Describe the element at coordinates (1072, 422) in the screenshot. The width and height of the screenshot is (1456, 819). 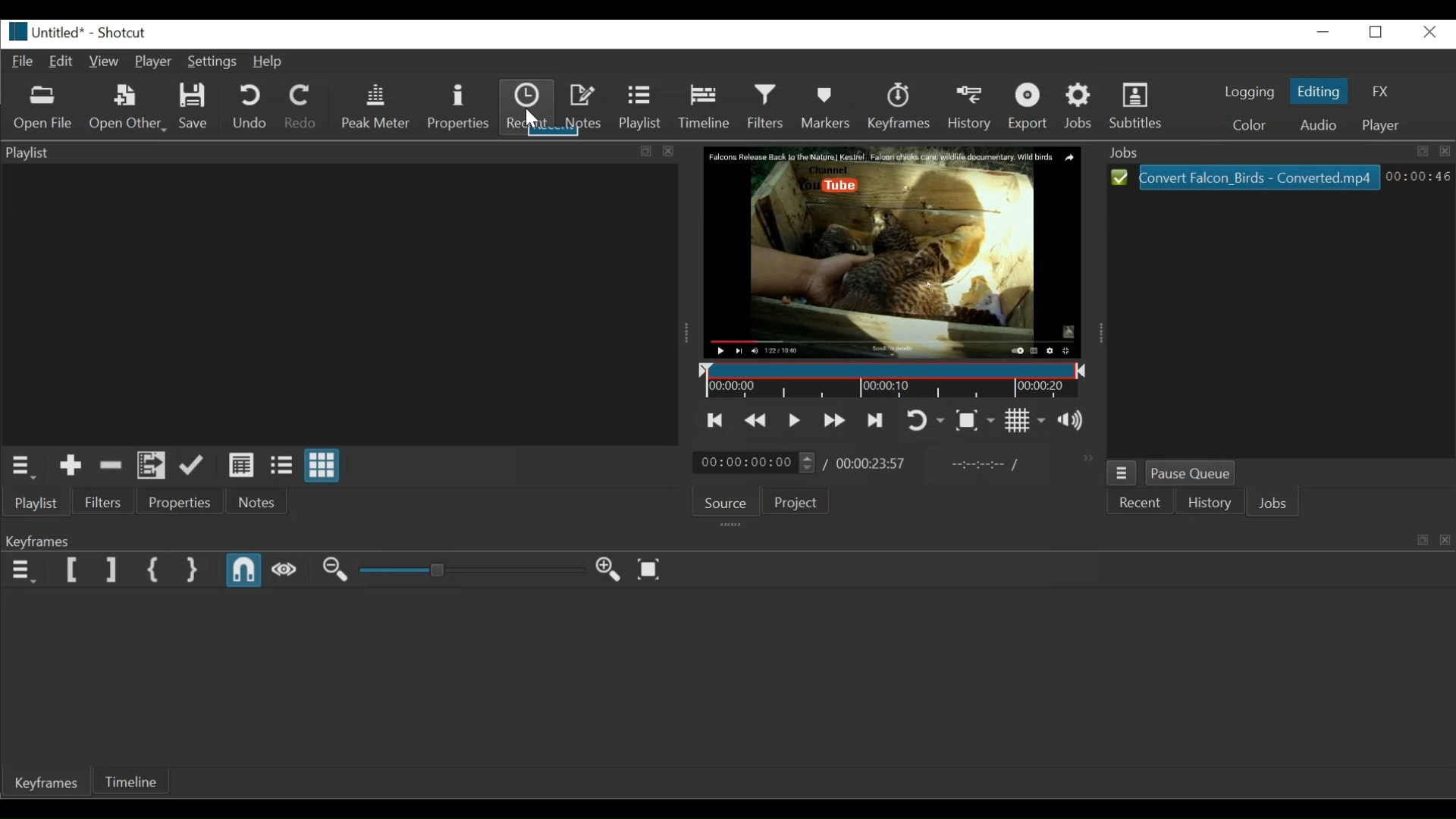
I see `Show volume control` at that location.